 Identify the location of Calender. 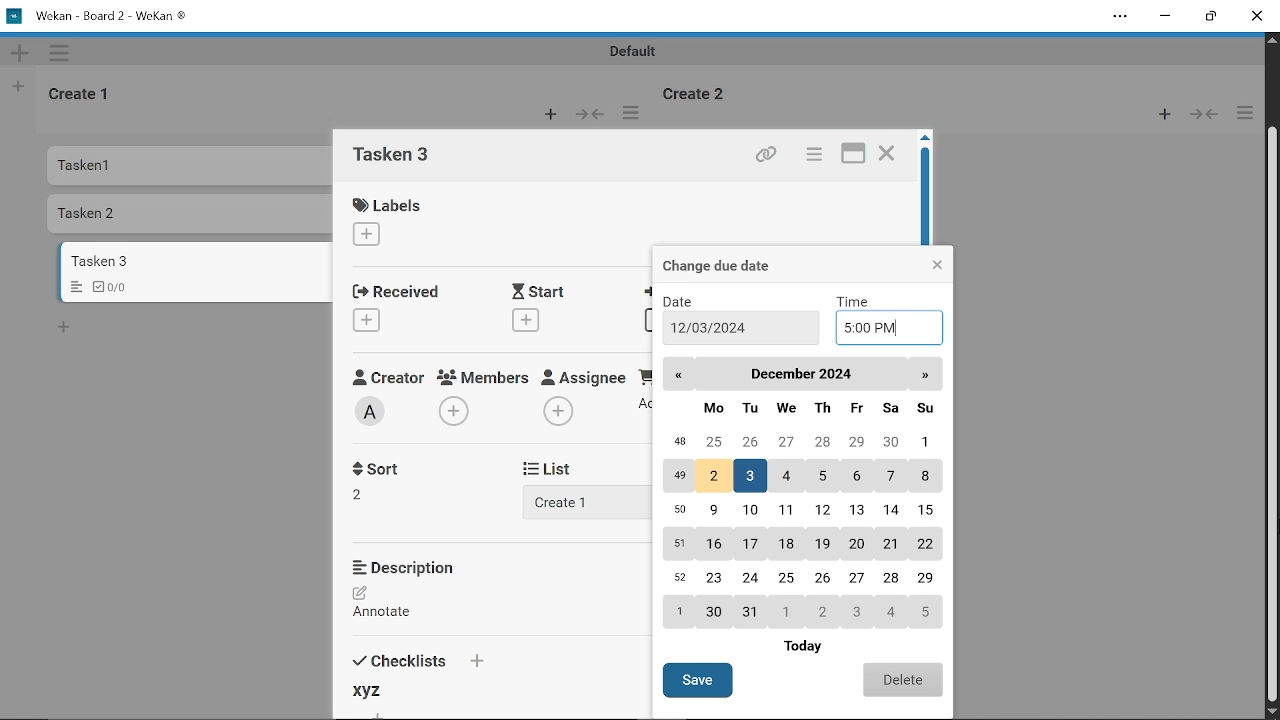
(800, 512).